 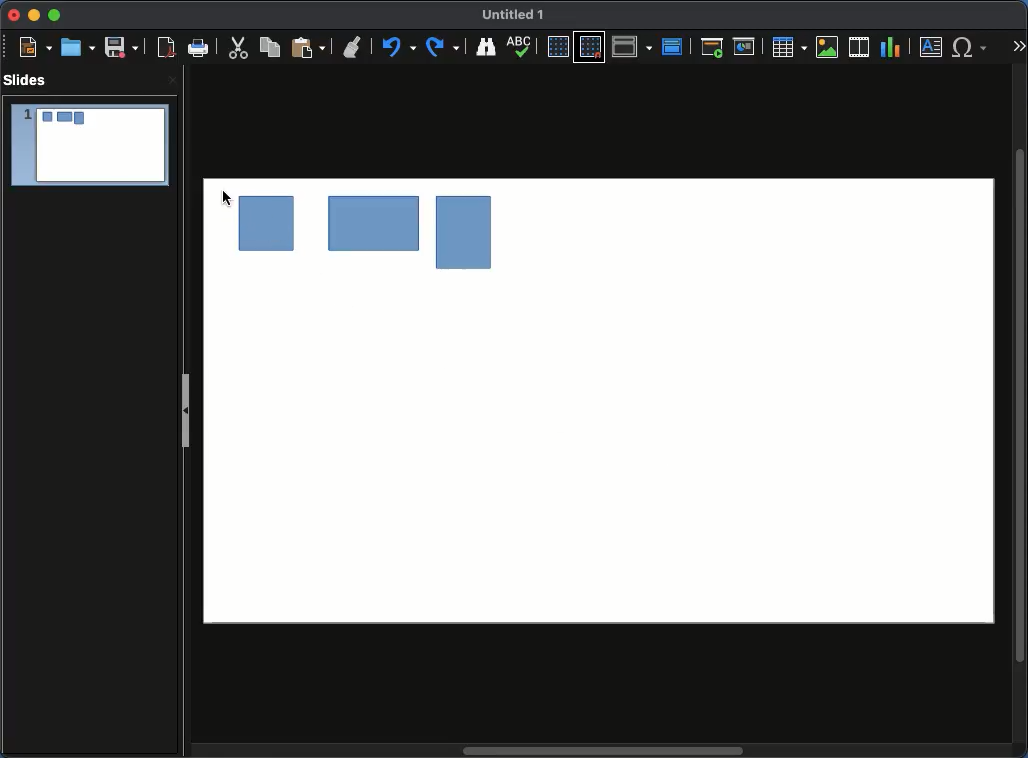 I want to click on Scroll bar, so click(x=605, y=752).